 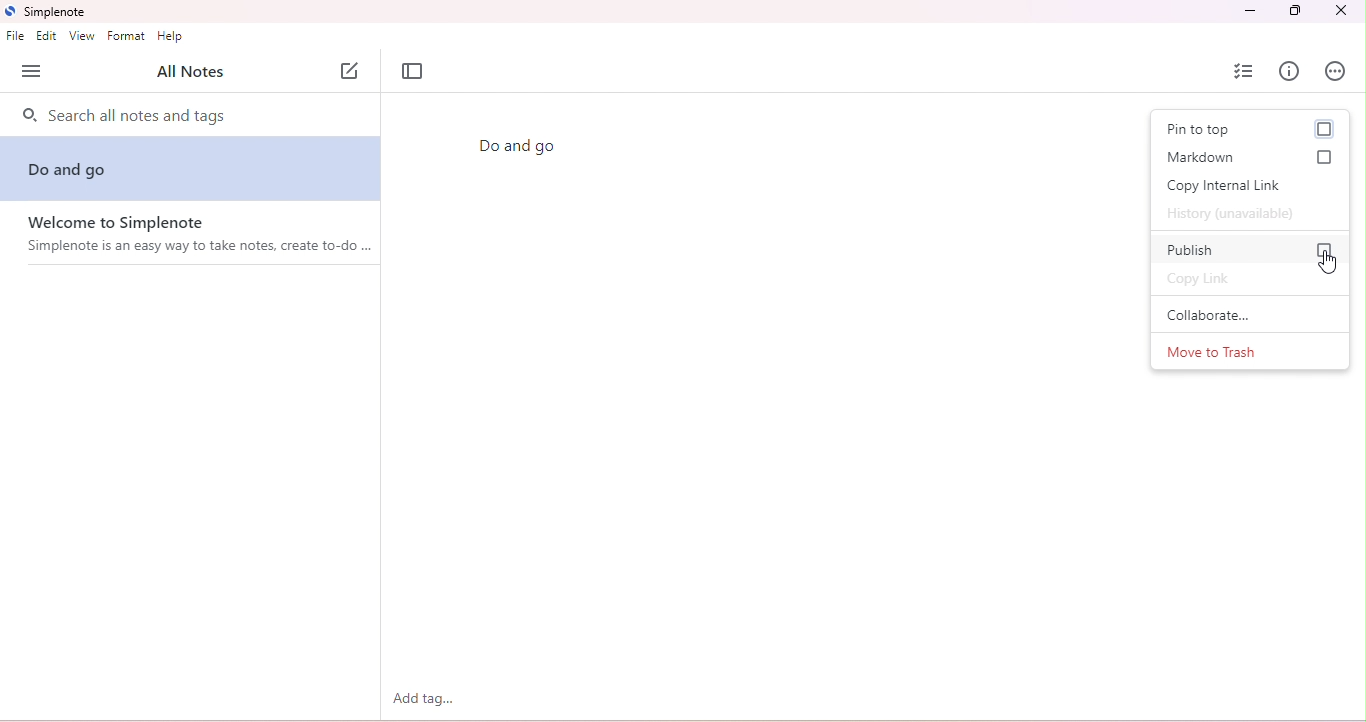 I want to click on search notes and tags, so click(x=189, y=118).